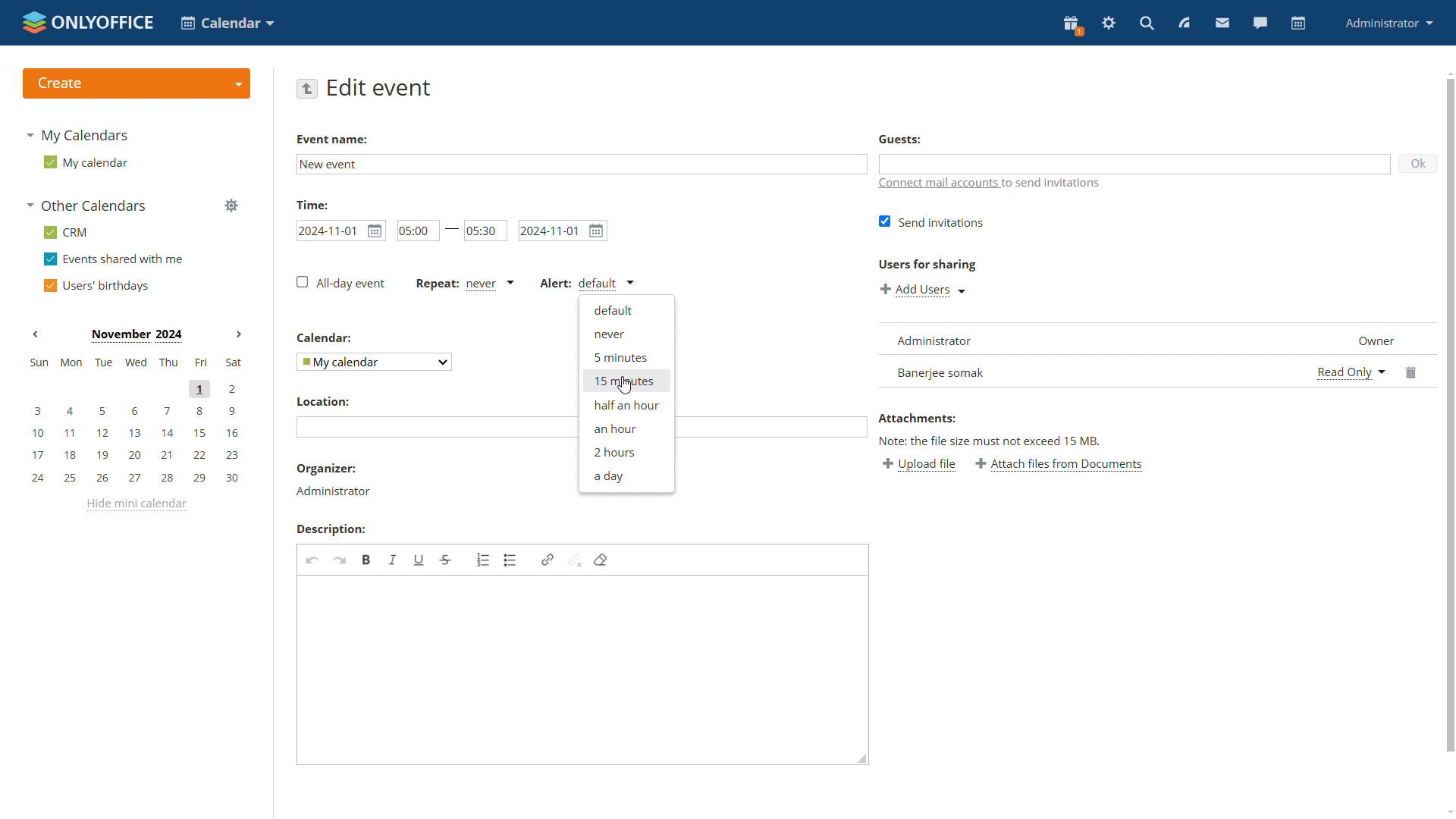 The height and width of the screenshot is (819, 1456). I want to click on Users for sharing, so click(930, 265).